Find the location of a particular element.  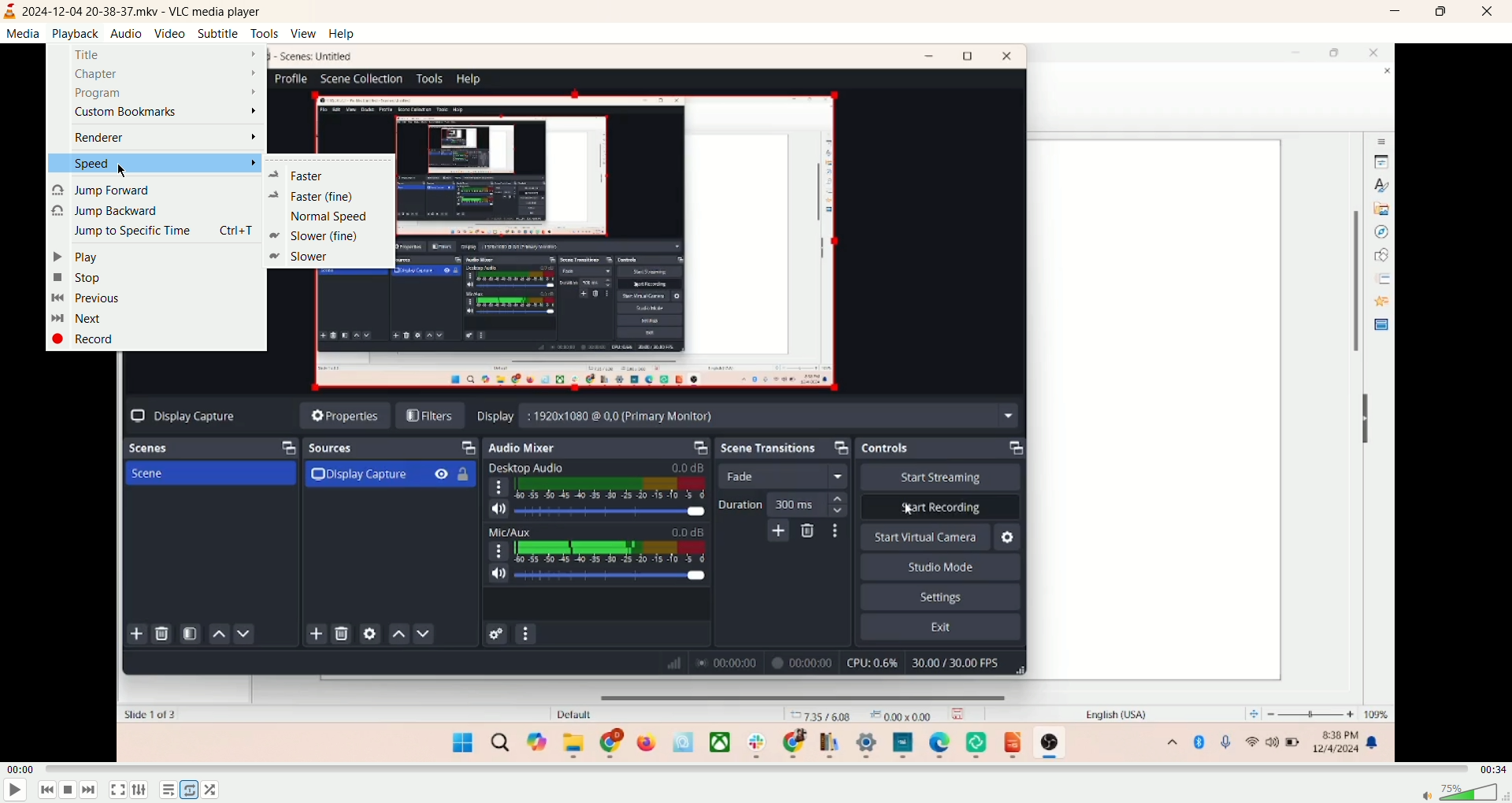

slower (fine) is located at coordinates (321, 235).